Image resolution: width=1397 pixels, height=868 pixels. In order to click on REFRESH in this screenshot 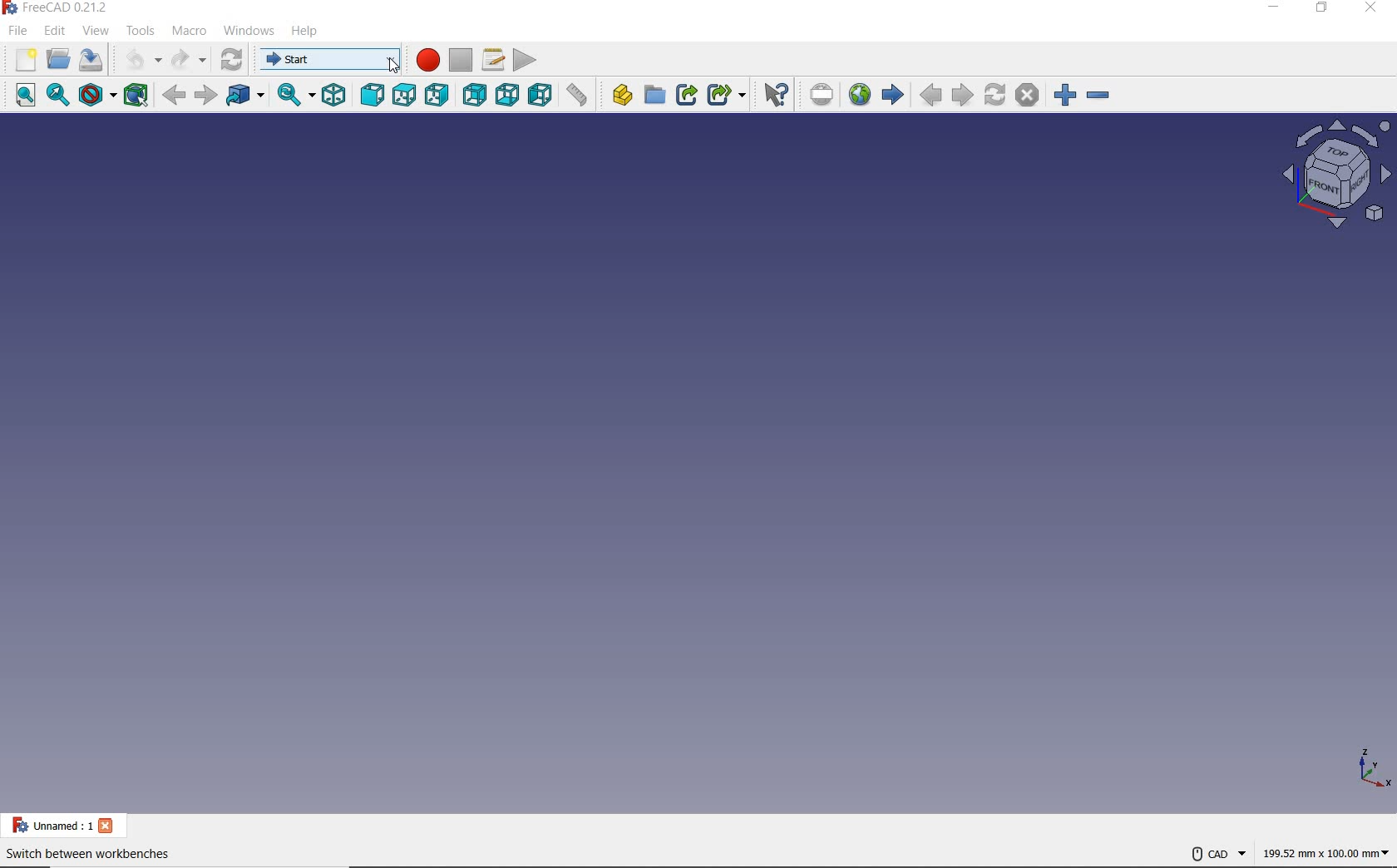, I will do `click(230, 60)`.